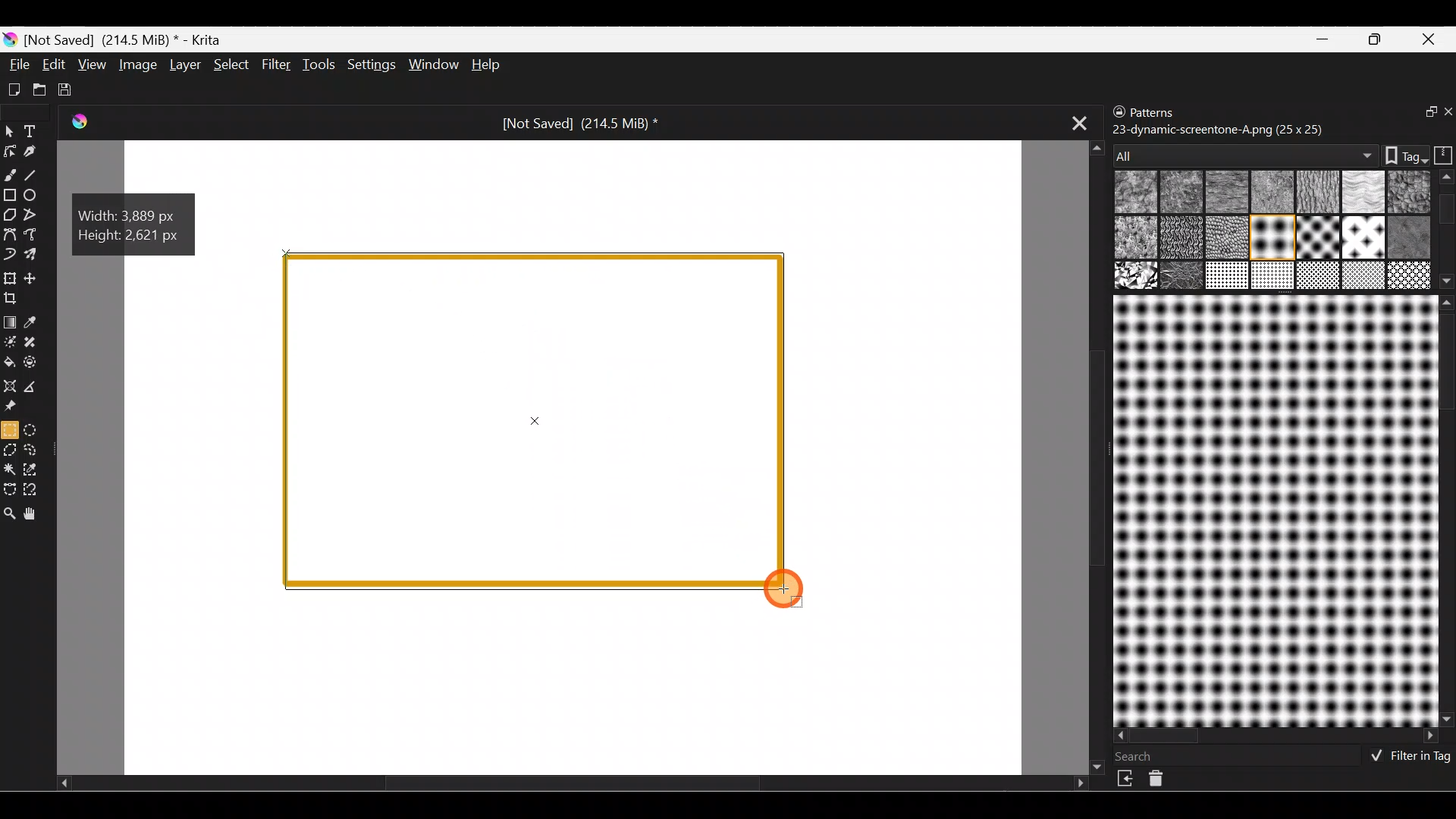  Describe the element at coordinates (572, 787) in the screenshot. I see `Scroll tab` at that location.